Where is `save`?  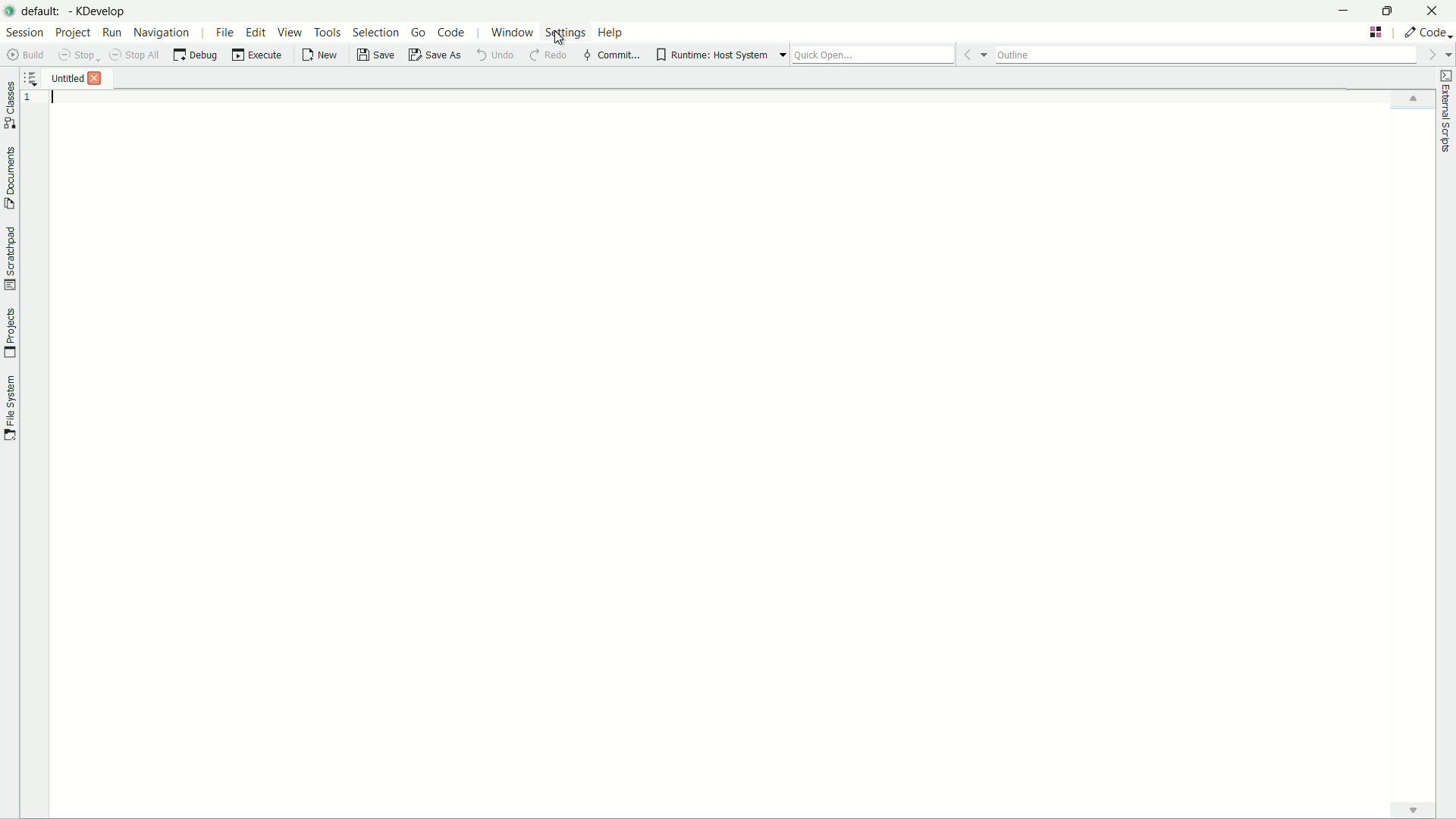
save is located at coordinates (375, 57).